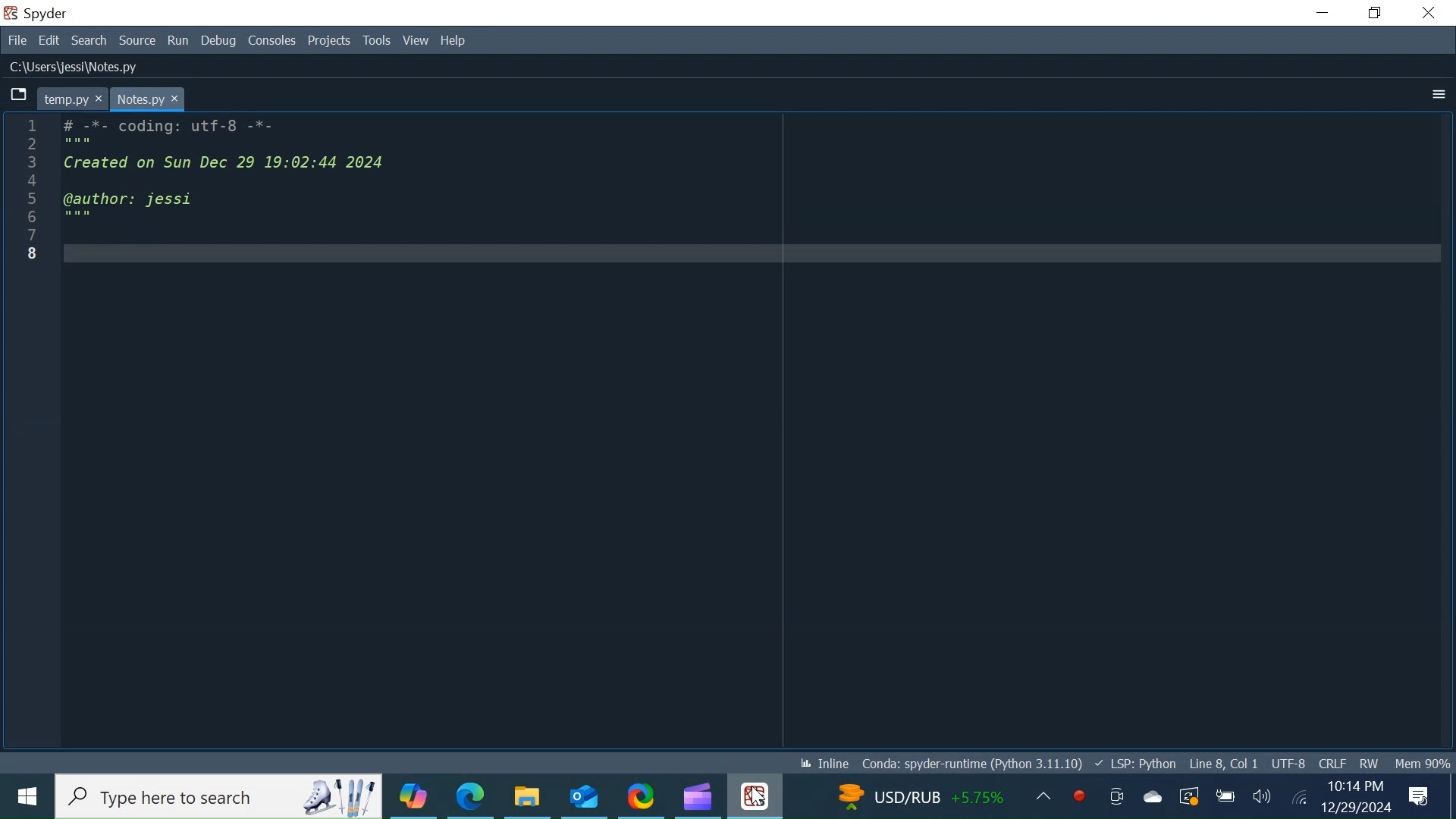 The height and width of the screenshot is (819, 1456). I want to click on Spyder, so click(36, 15).